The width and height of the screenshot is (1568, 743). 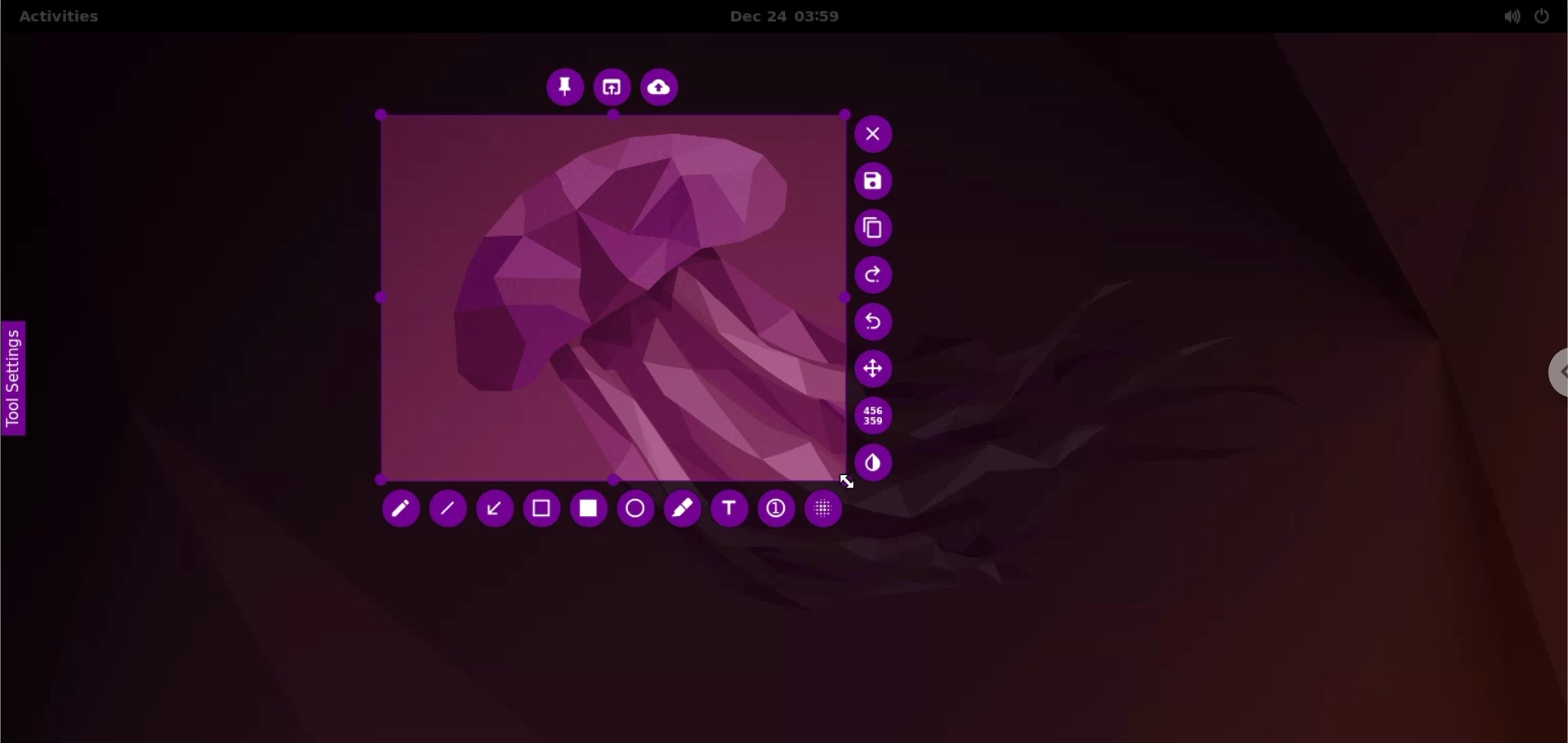 What do you see at coordinates (57, 17) in the screenshot?
I see `Activities` at bounding box center [57, 17].